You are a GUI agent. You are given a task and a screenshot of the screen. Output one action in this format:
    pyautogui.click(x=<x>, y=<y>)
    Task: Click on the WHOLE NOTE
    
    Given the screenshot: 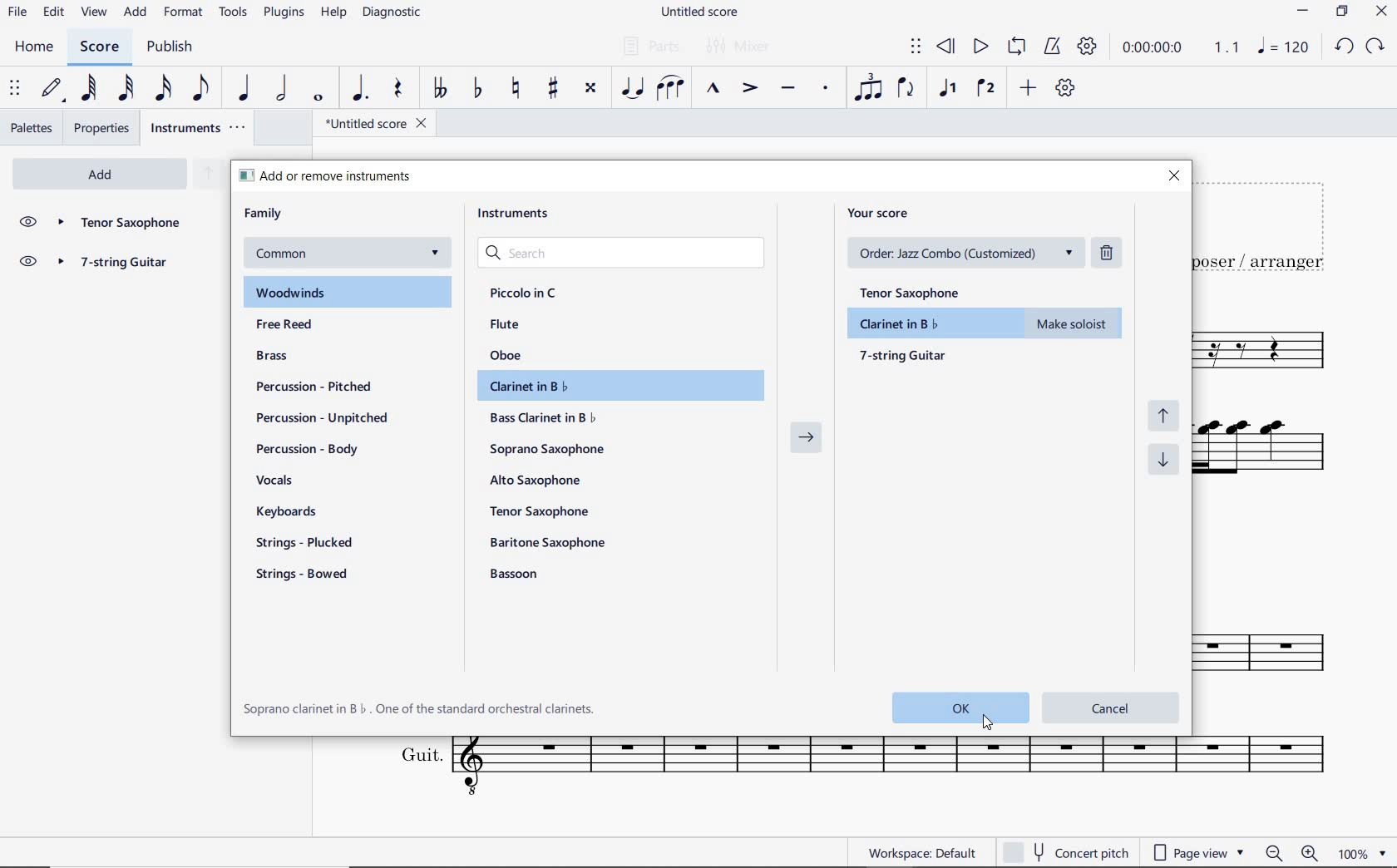 What is the action you would take?
    pyautogui.click(x=320, y=99)
    